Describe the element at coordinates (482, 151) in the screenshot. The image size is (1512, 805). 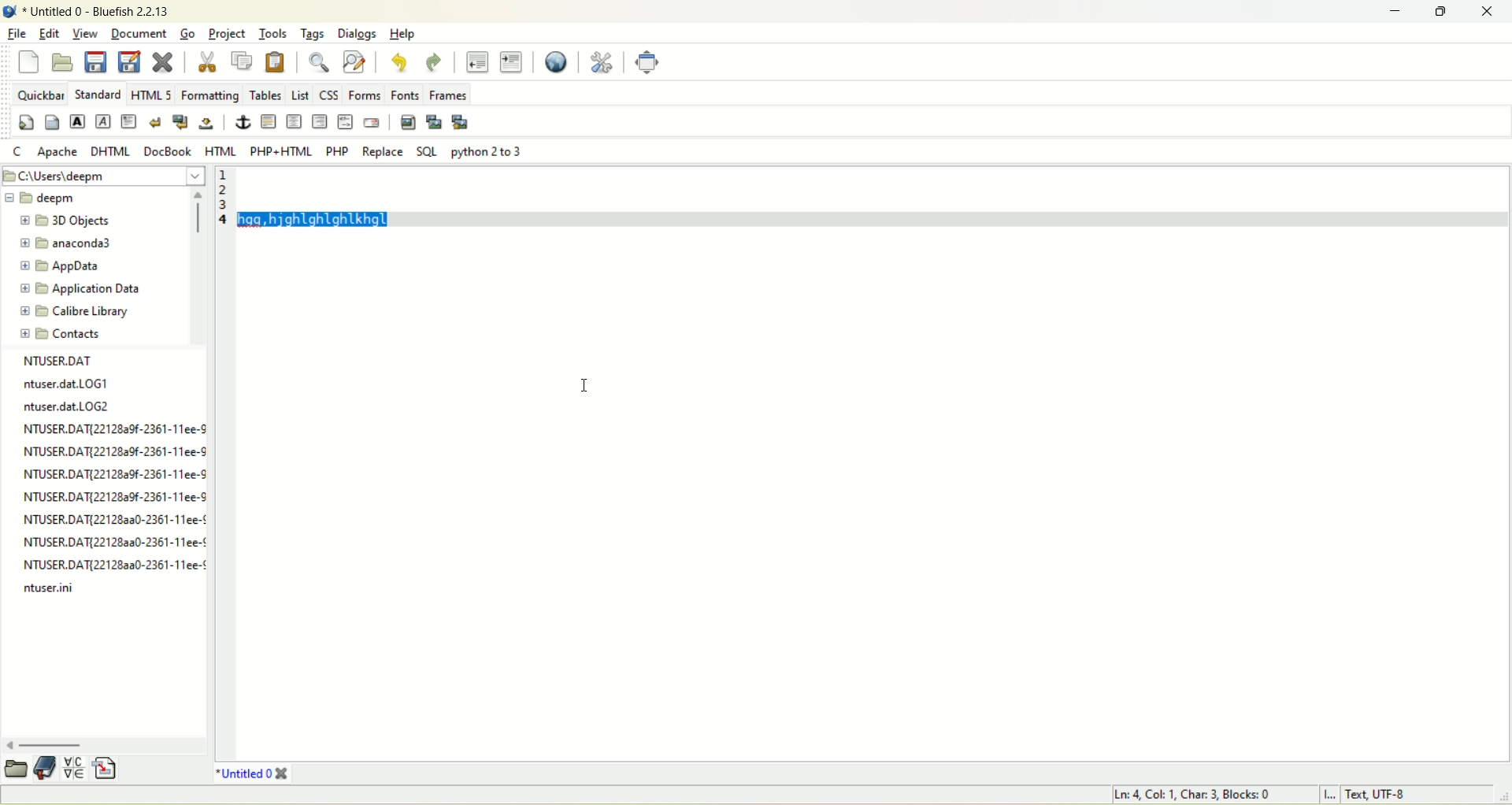
I see `python 2 to 3` at that location.